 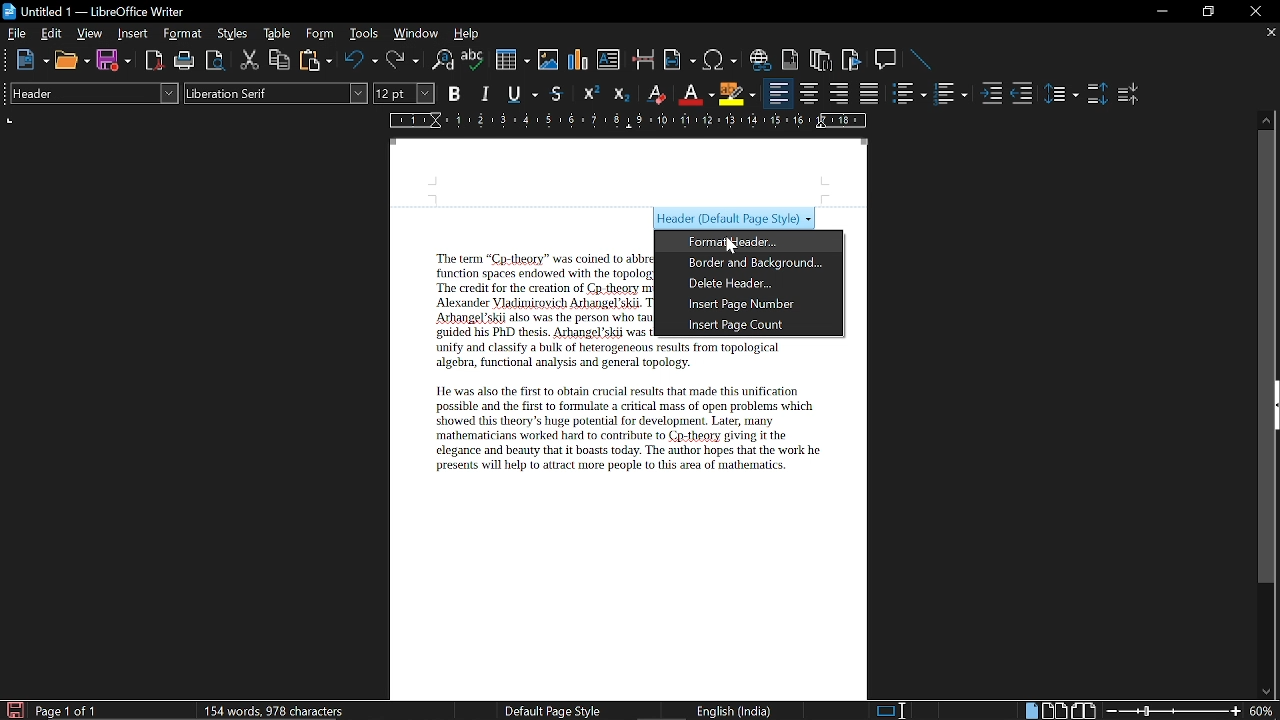 I want to click on Insert field, so click(x=680, y=61).